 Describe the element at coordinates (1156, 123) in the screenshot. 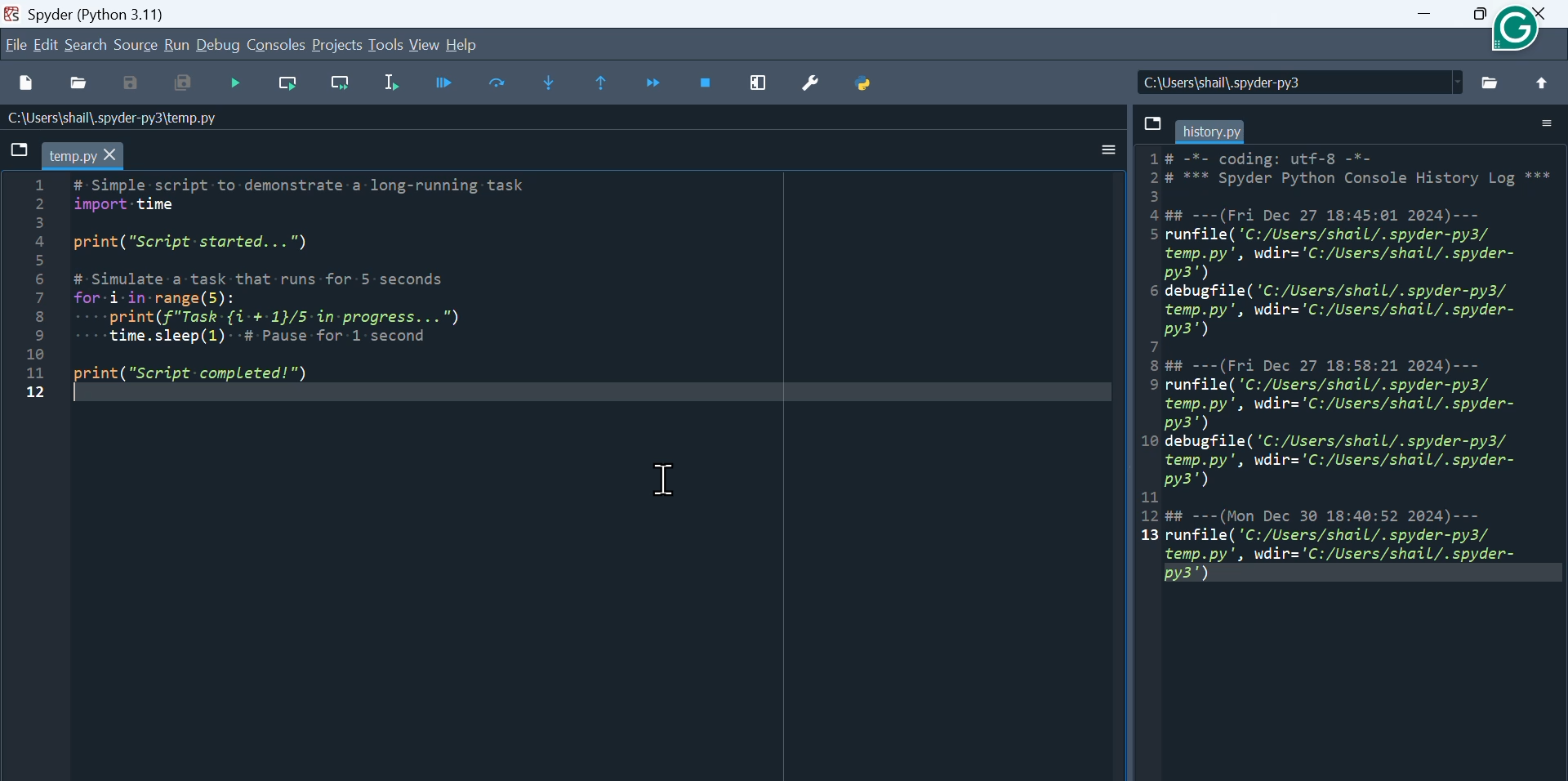

I see `save file` at that location.